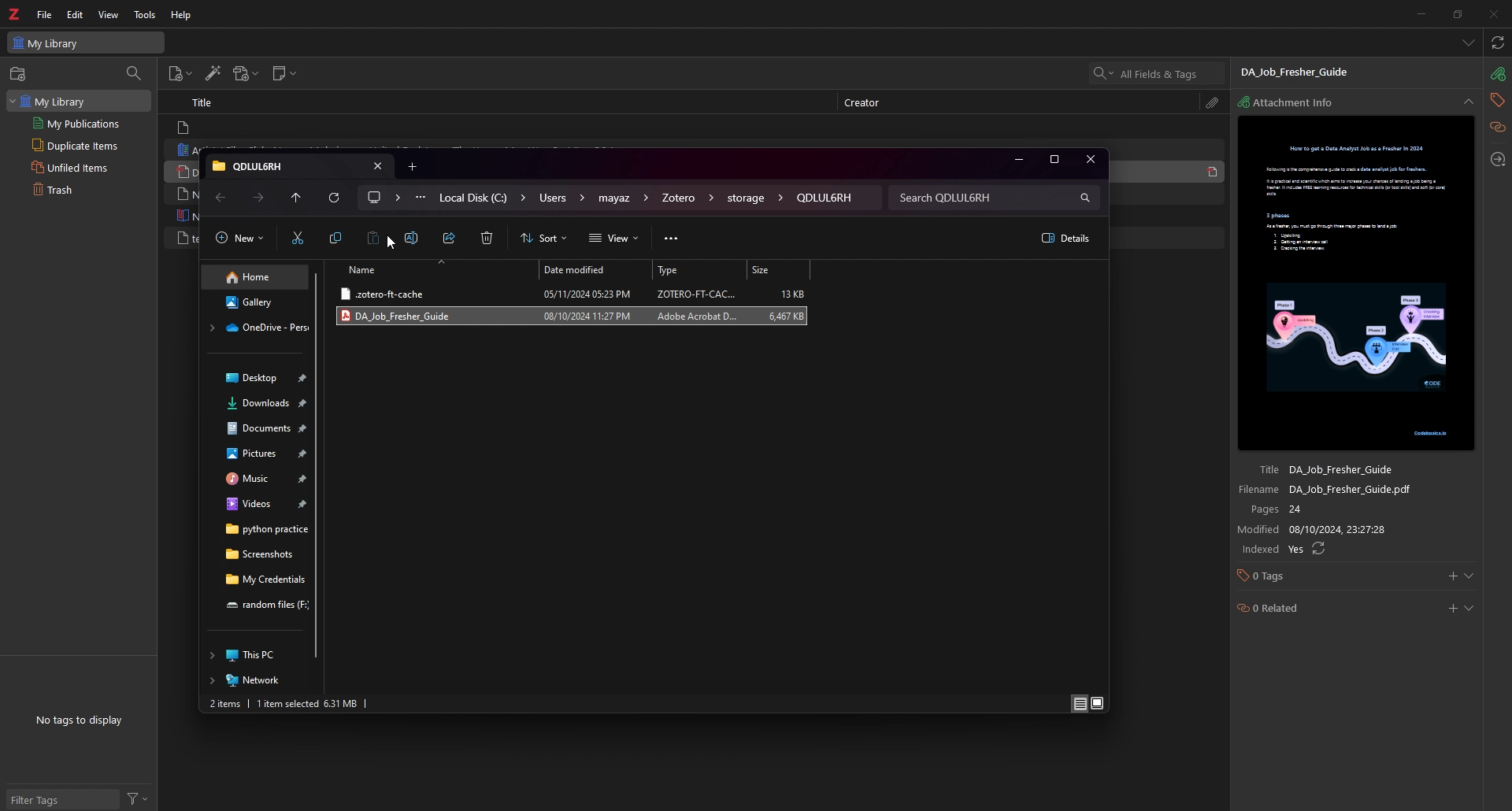 The image size is (1512, 811). What do you see at coordinates (375, 240) in the screenshot?
I see `paste` at bounding box center [375, 240].